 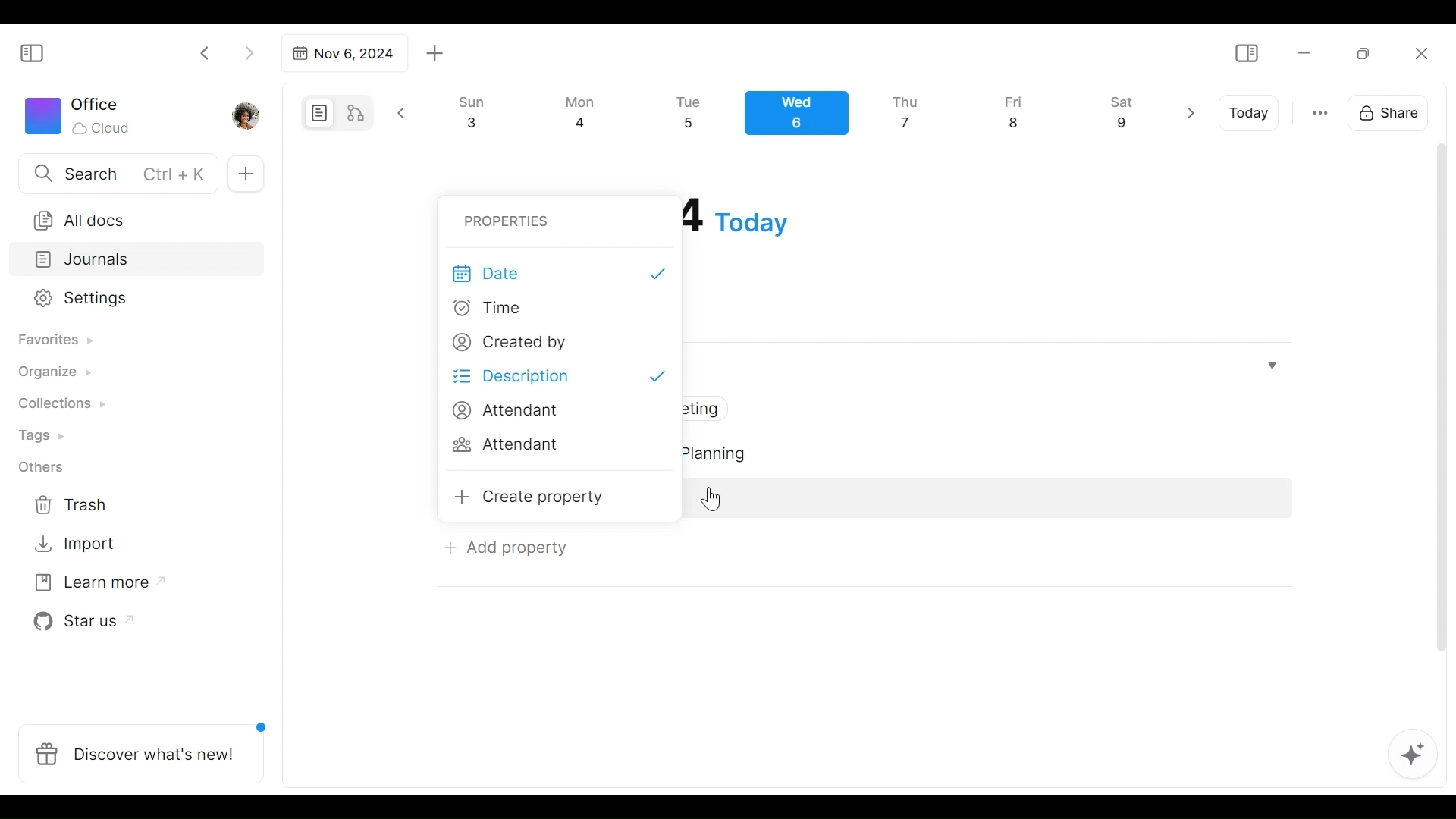 What do you see at coordinates (116, 173) in the screenshot?
I see `Search` at bounding box center [116, 173].